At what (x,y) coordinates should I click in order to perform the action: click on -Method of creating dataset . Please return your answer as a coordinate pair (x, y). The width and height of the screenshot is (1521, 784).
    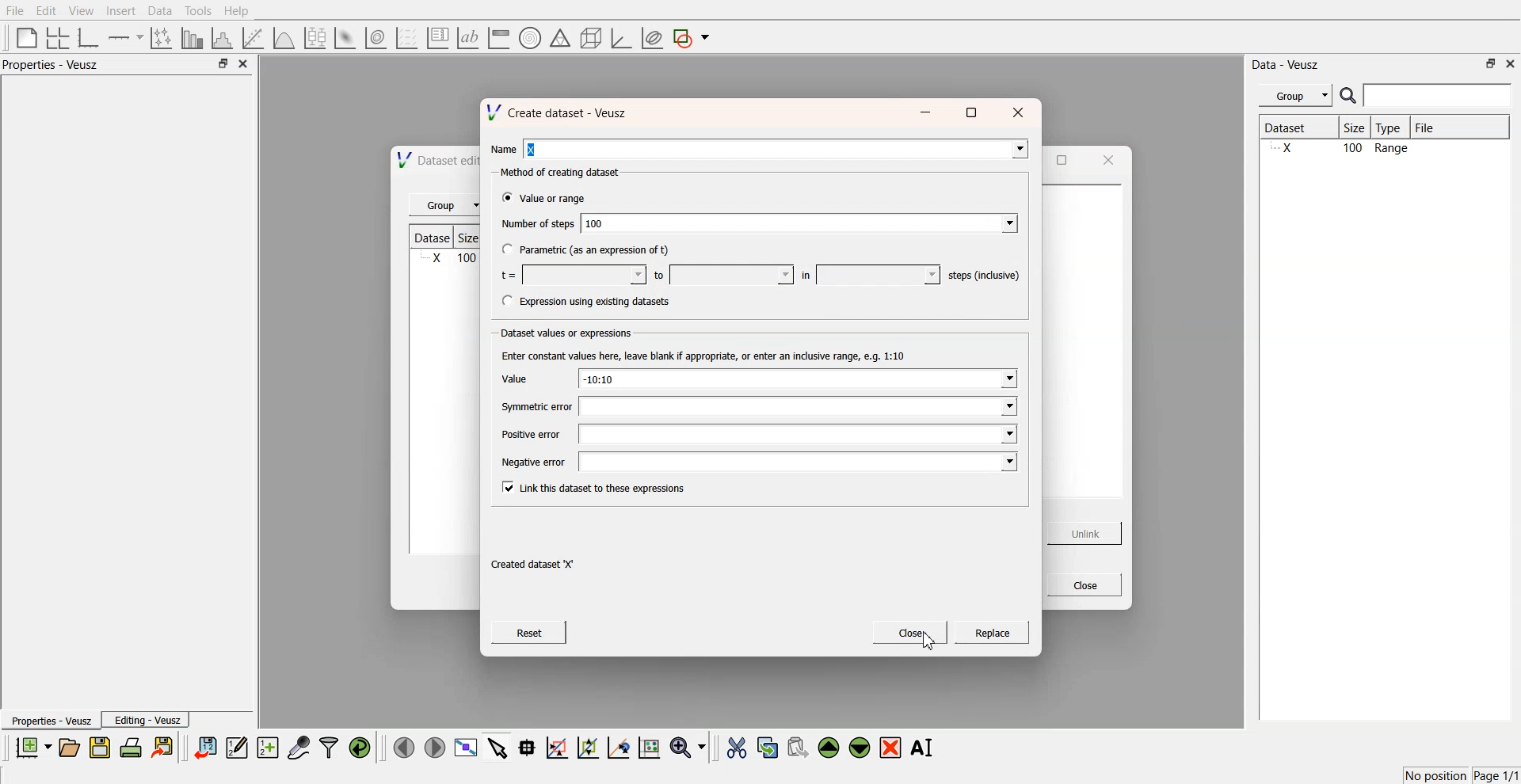
    Looking at the image, I should click on (563, 173).